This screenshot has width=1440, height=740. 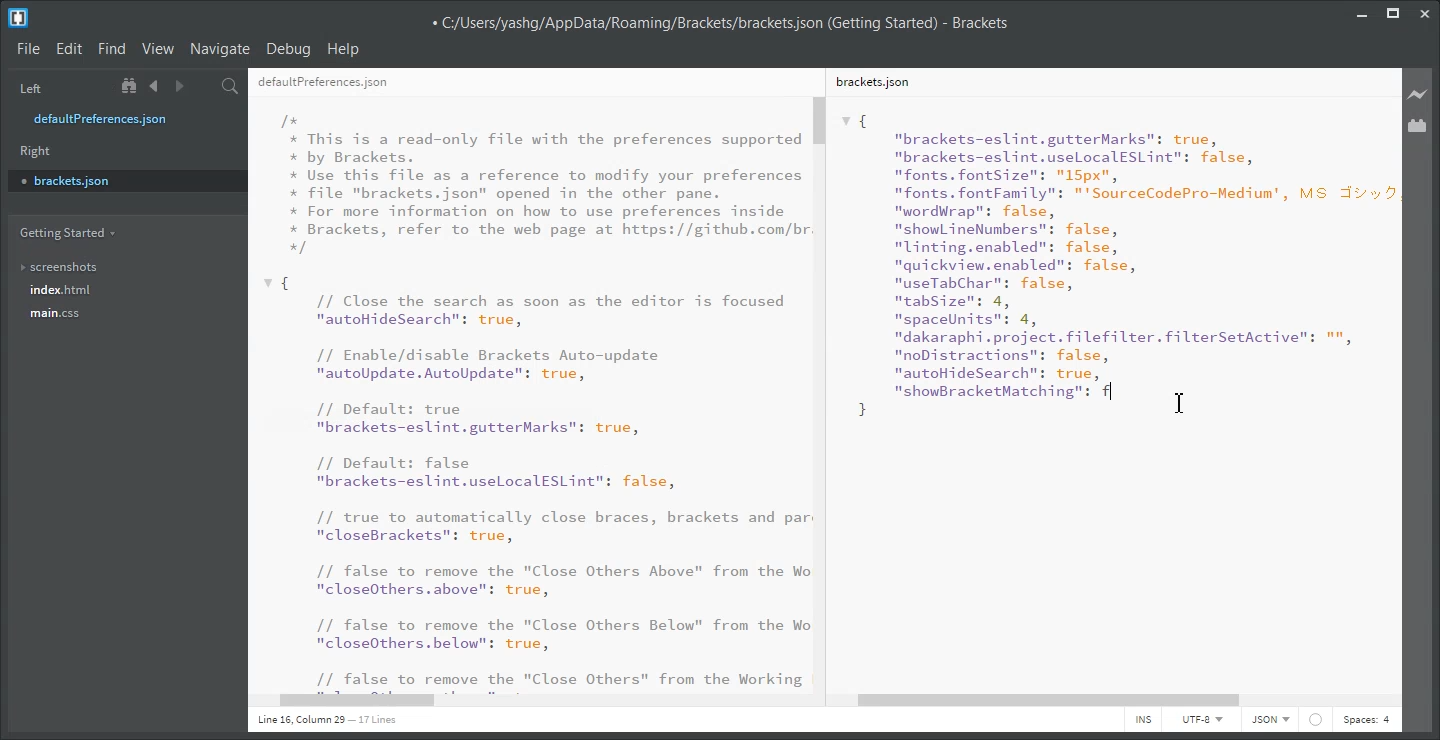 What do you see at coordinates (58, 313) in the screenshot?
I see `main.css` at bounding box center [58, 313].